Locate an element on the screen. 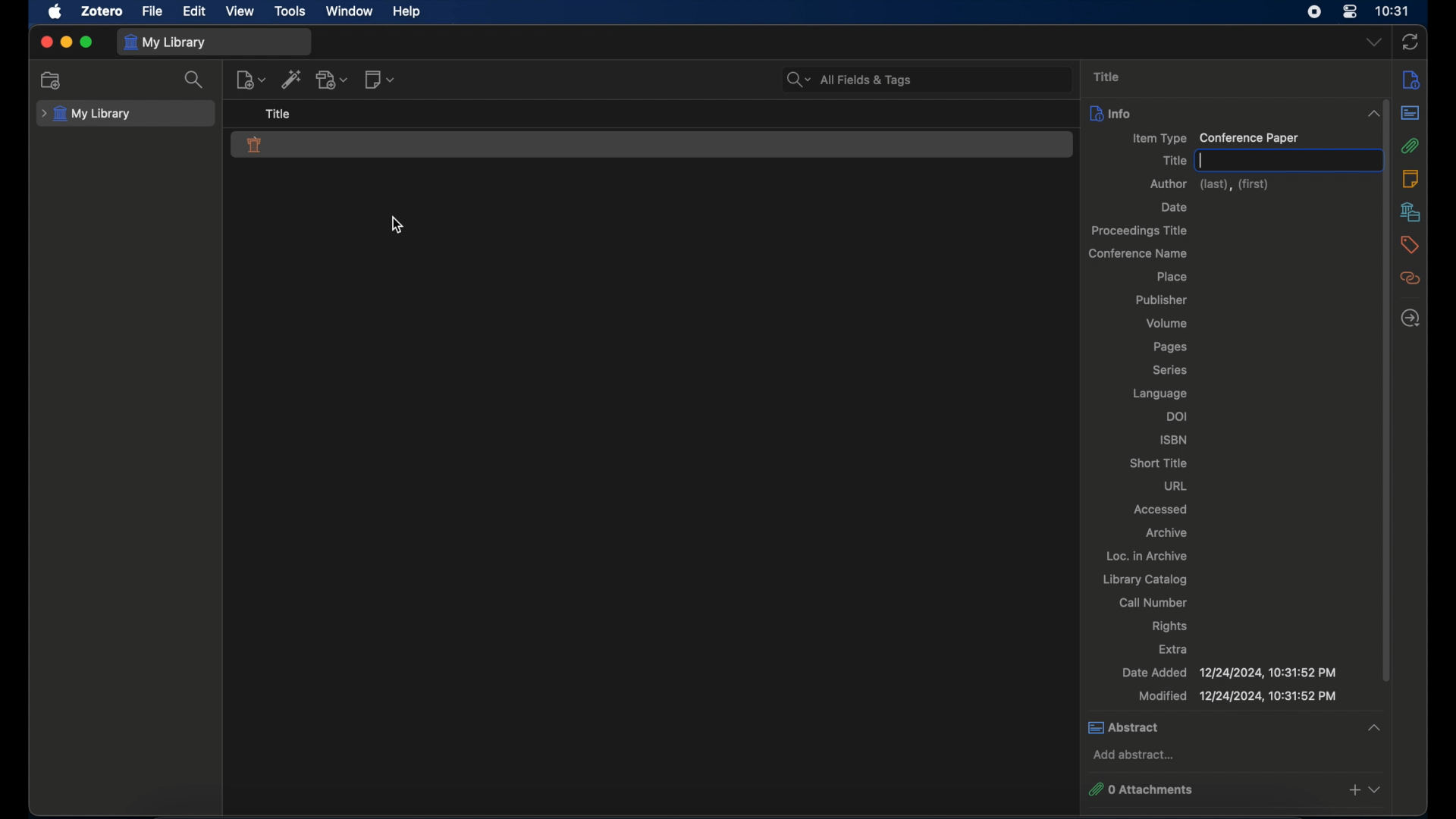 This screenshot has height=819, width=1456. maximize is located at coordinates (87, 42).